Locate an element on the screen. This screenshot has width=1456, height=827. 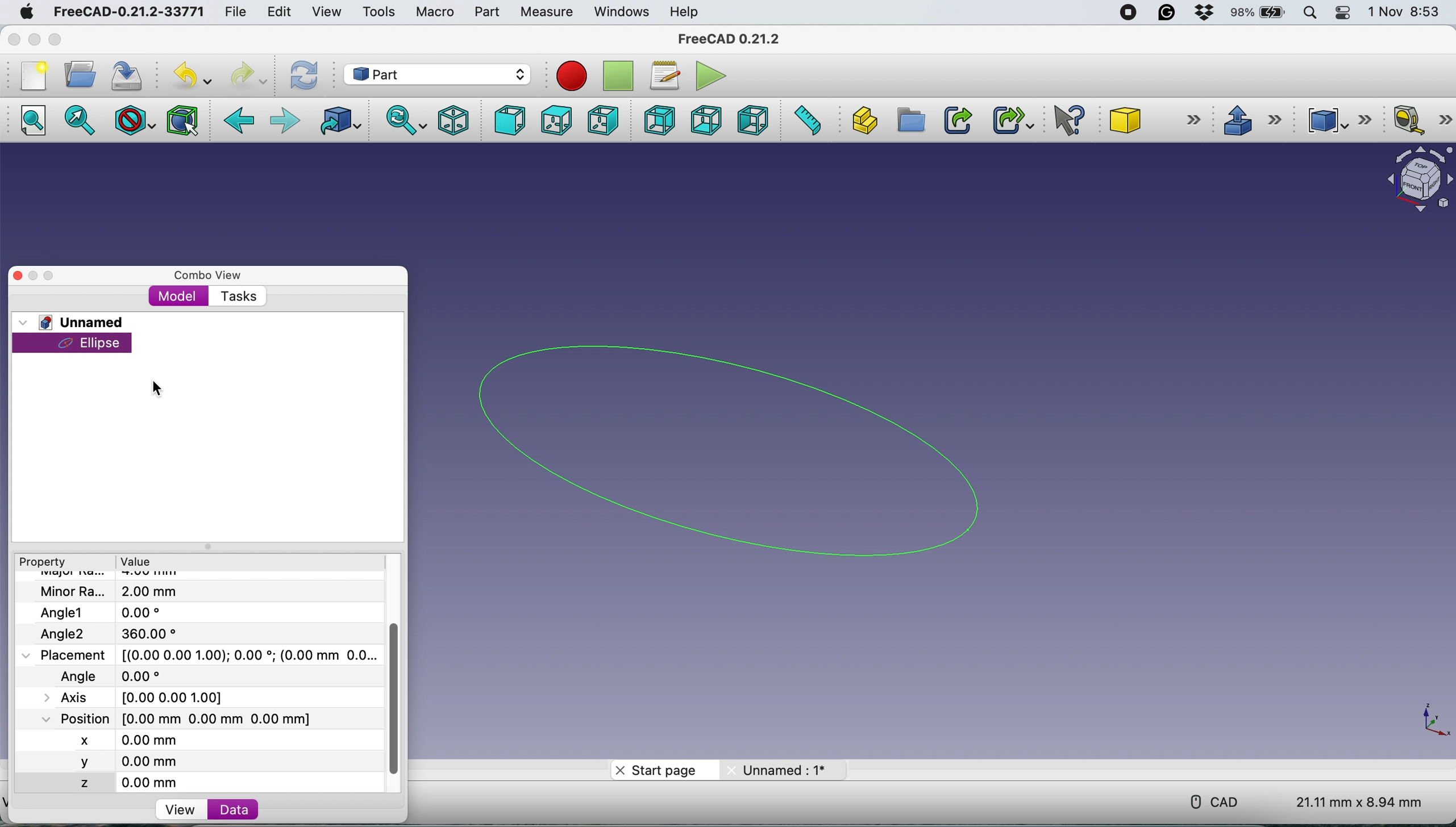
stop recording macros is located at coordinates (621, 75).